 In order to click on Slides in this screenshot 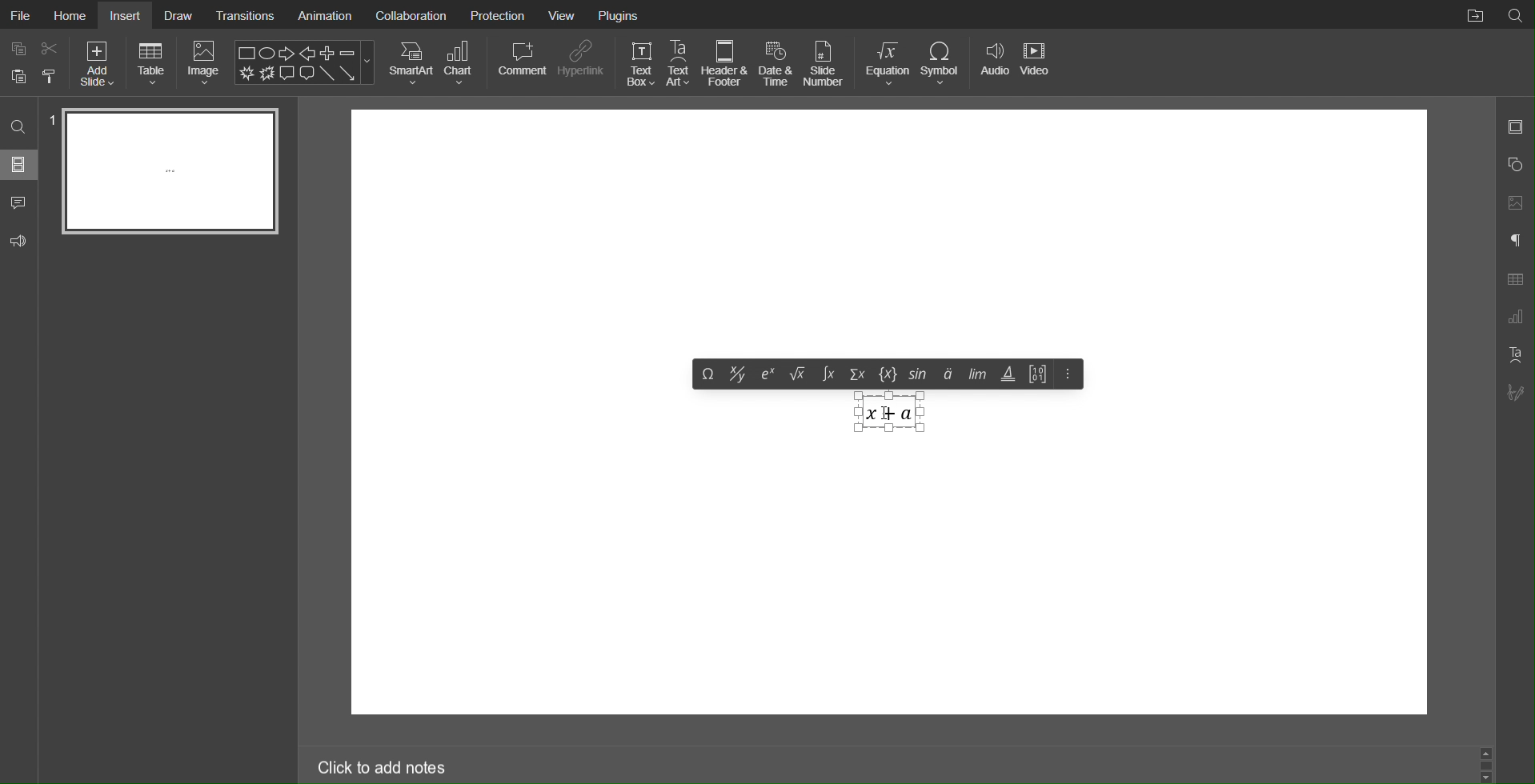, I will do `click(18, 166)`.